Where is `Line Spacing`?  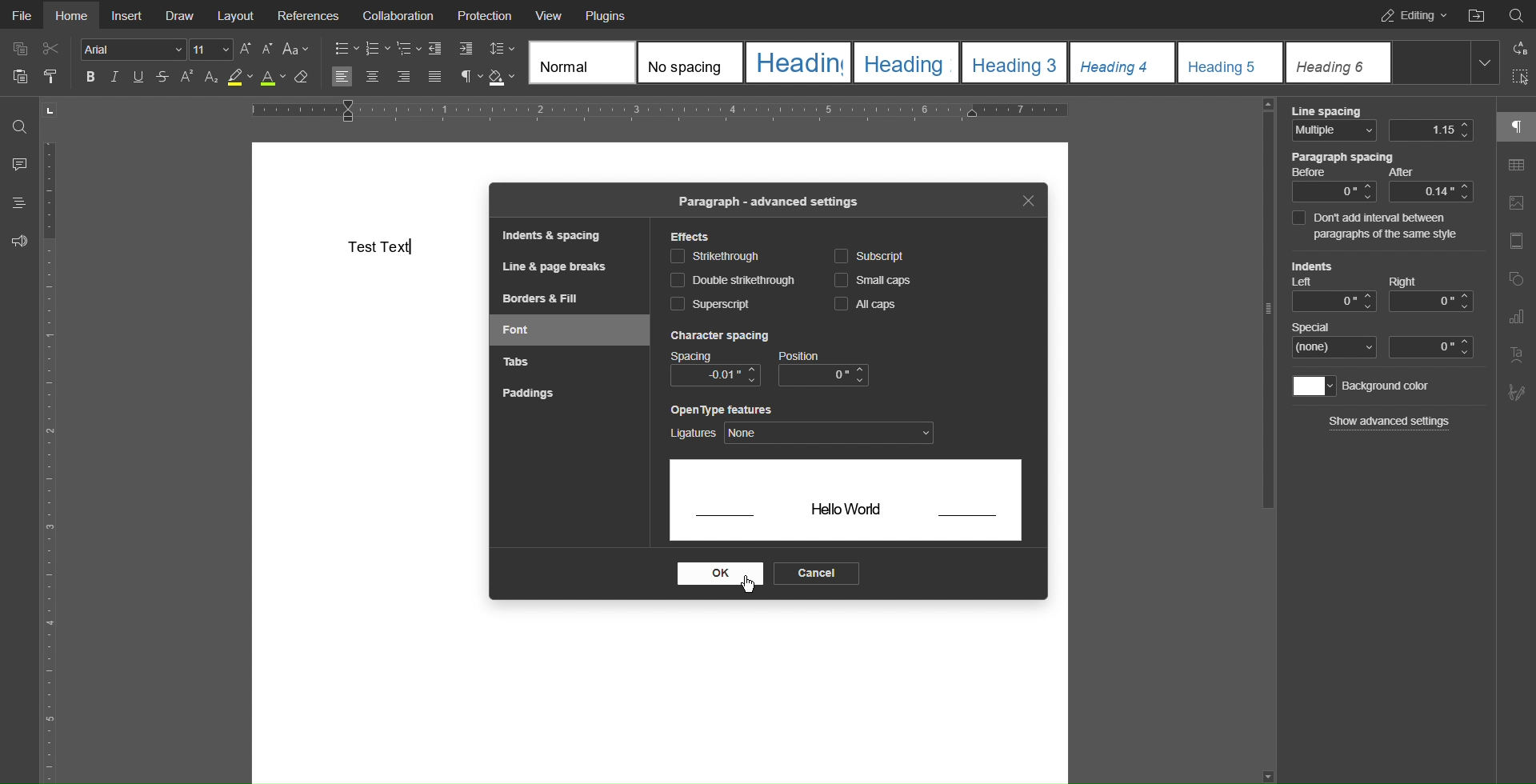
Line Spacing is located at coordinates (1382, 124).